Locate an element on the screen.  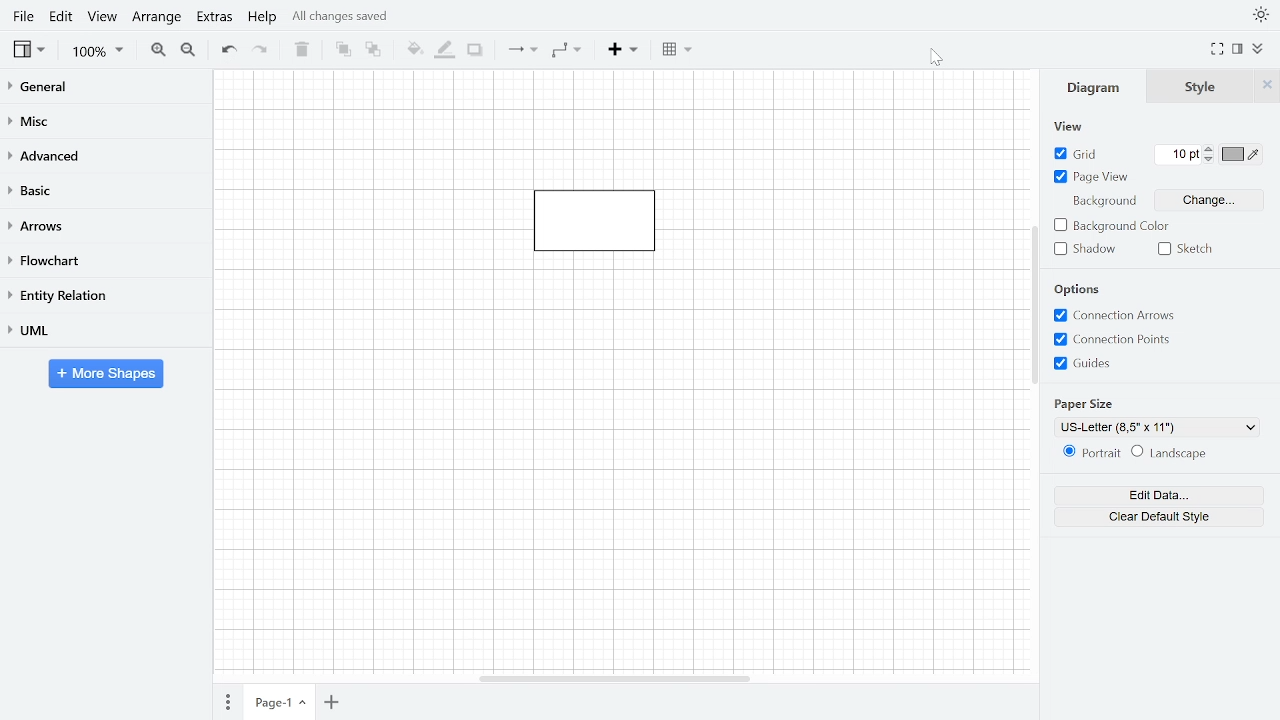
Sketch is located at coordinates (1189, 251).